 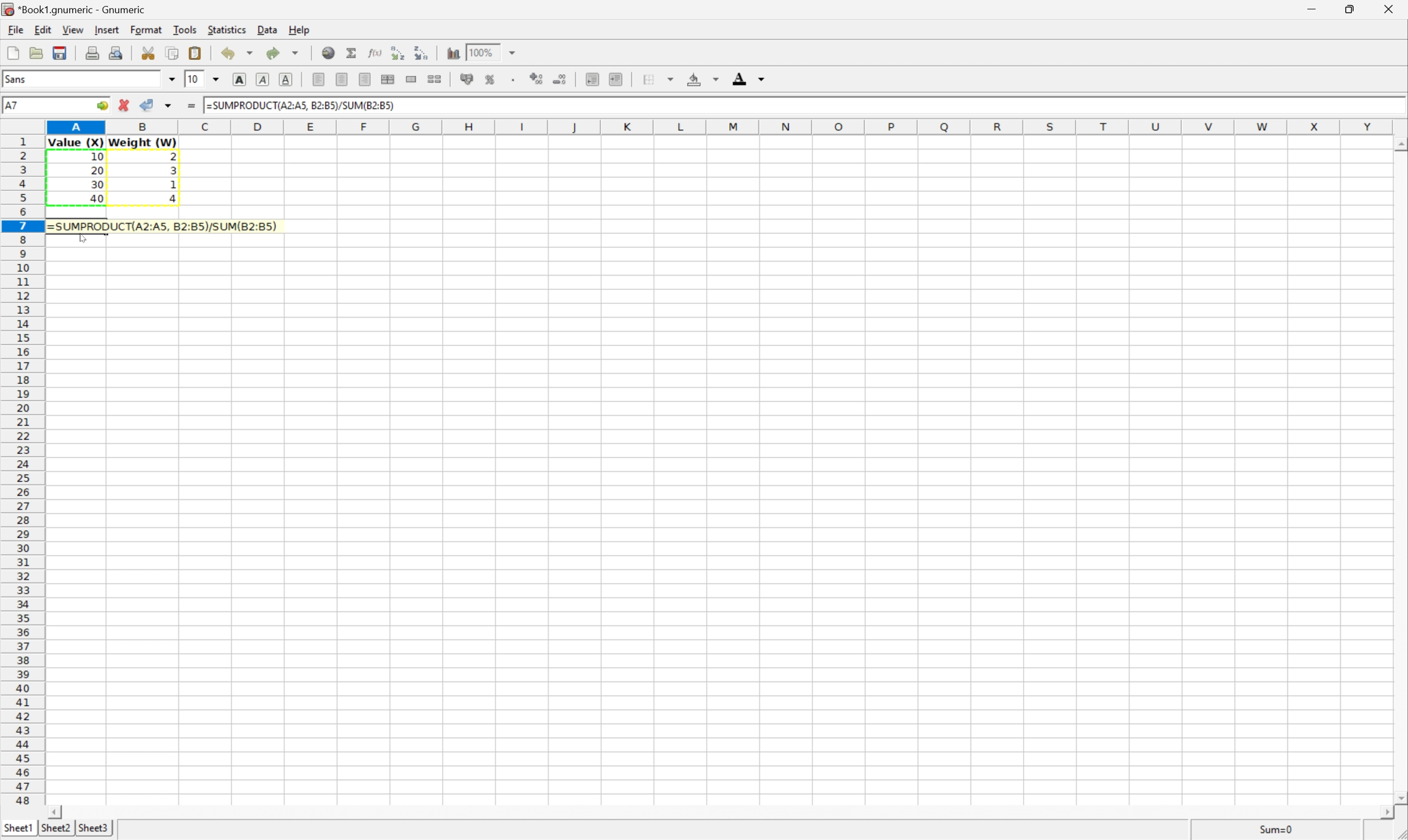 I want to click on Go to, so click(x=102, y=105).